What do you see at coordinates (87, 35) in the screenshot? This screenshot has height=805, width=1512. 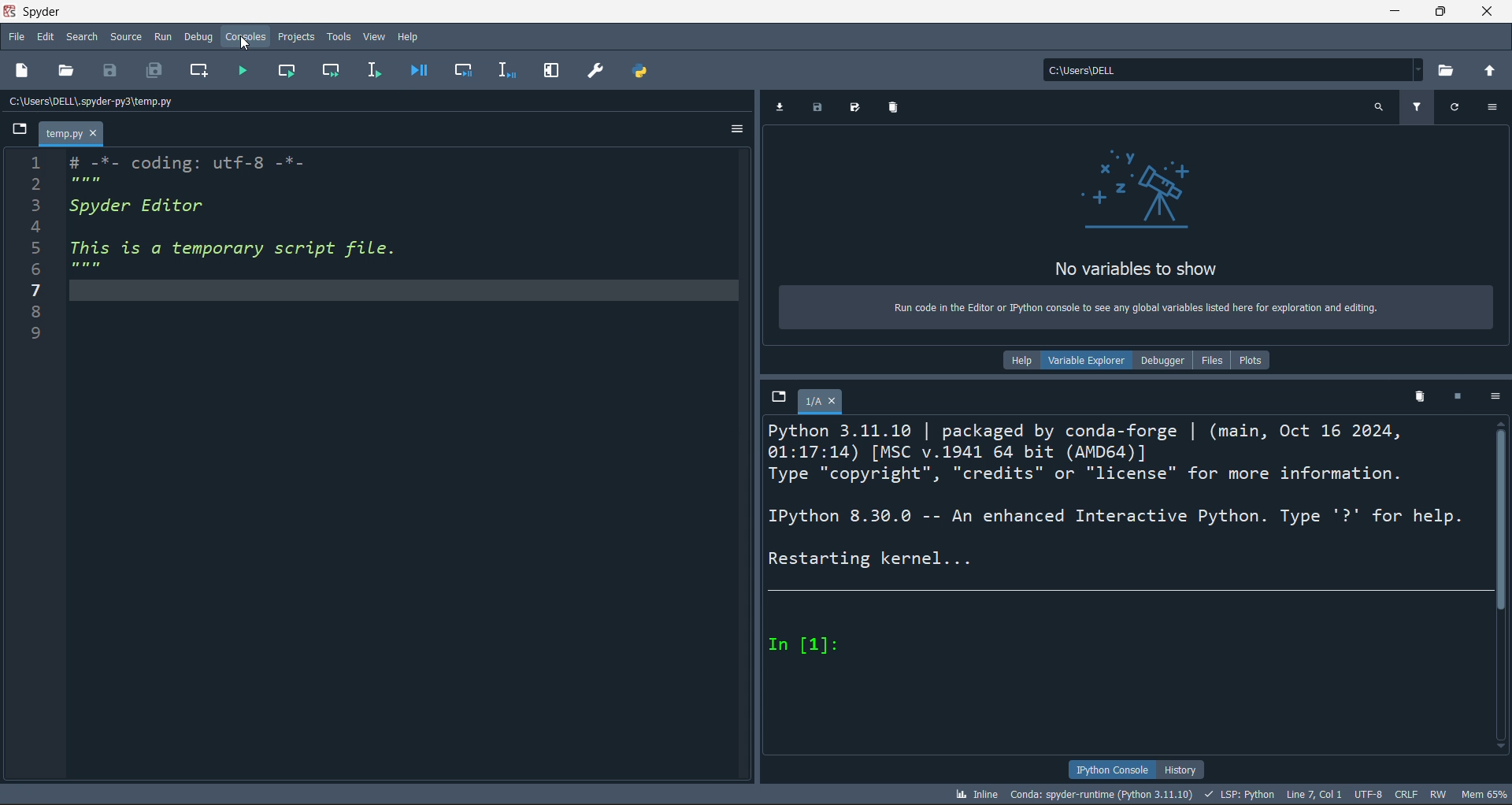 I see `search` at bounding box center [87, 35].